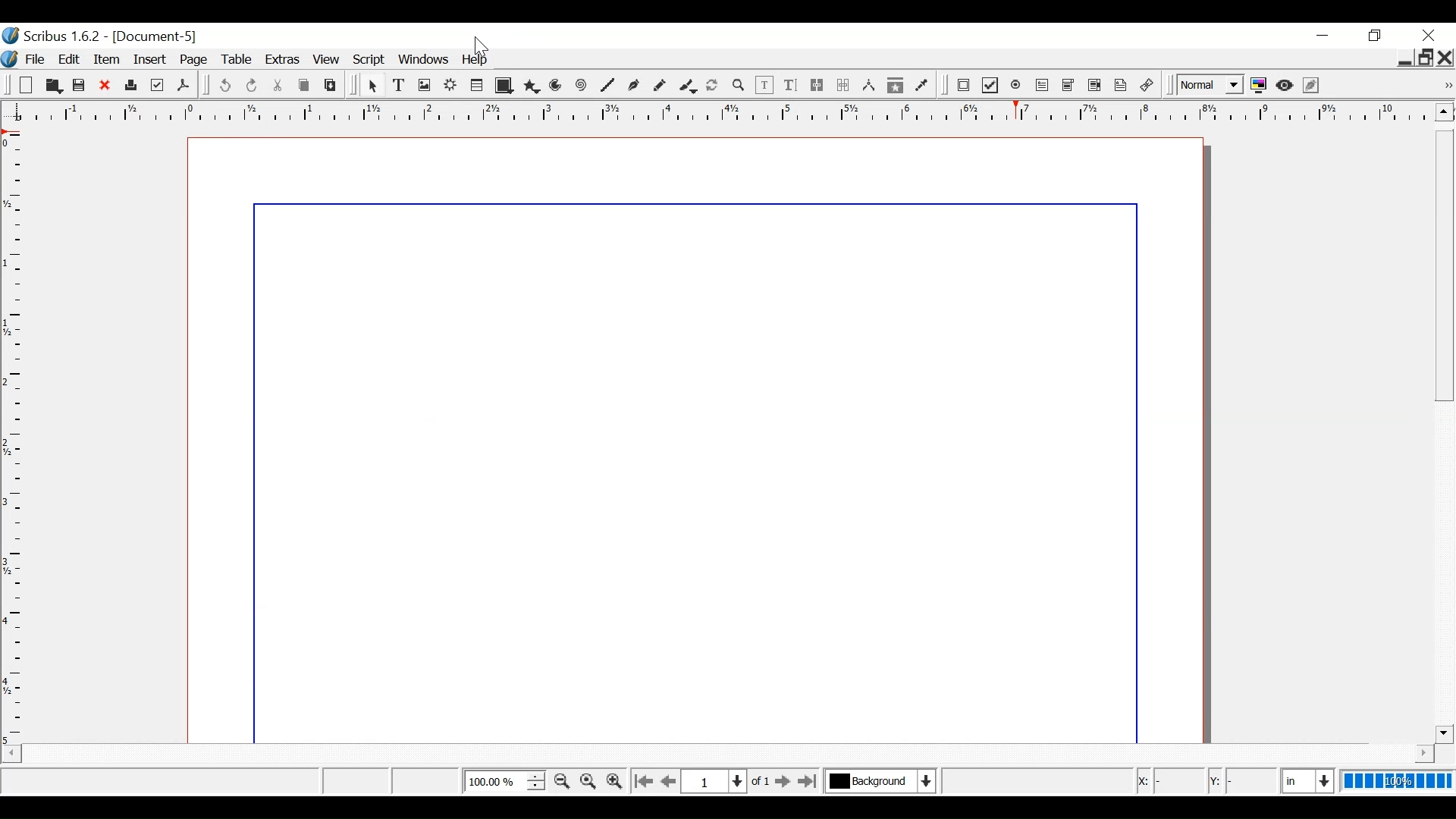 This screenshot has width=1456, height=819. Describe the element at coordinates (1241, 782) in the screenshot. I see `Y Coordintae` at that location.